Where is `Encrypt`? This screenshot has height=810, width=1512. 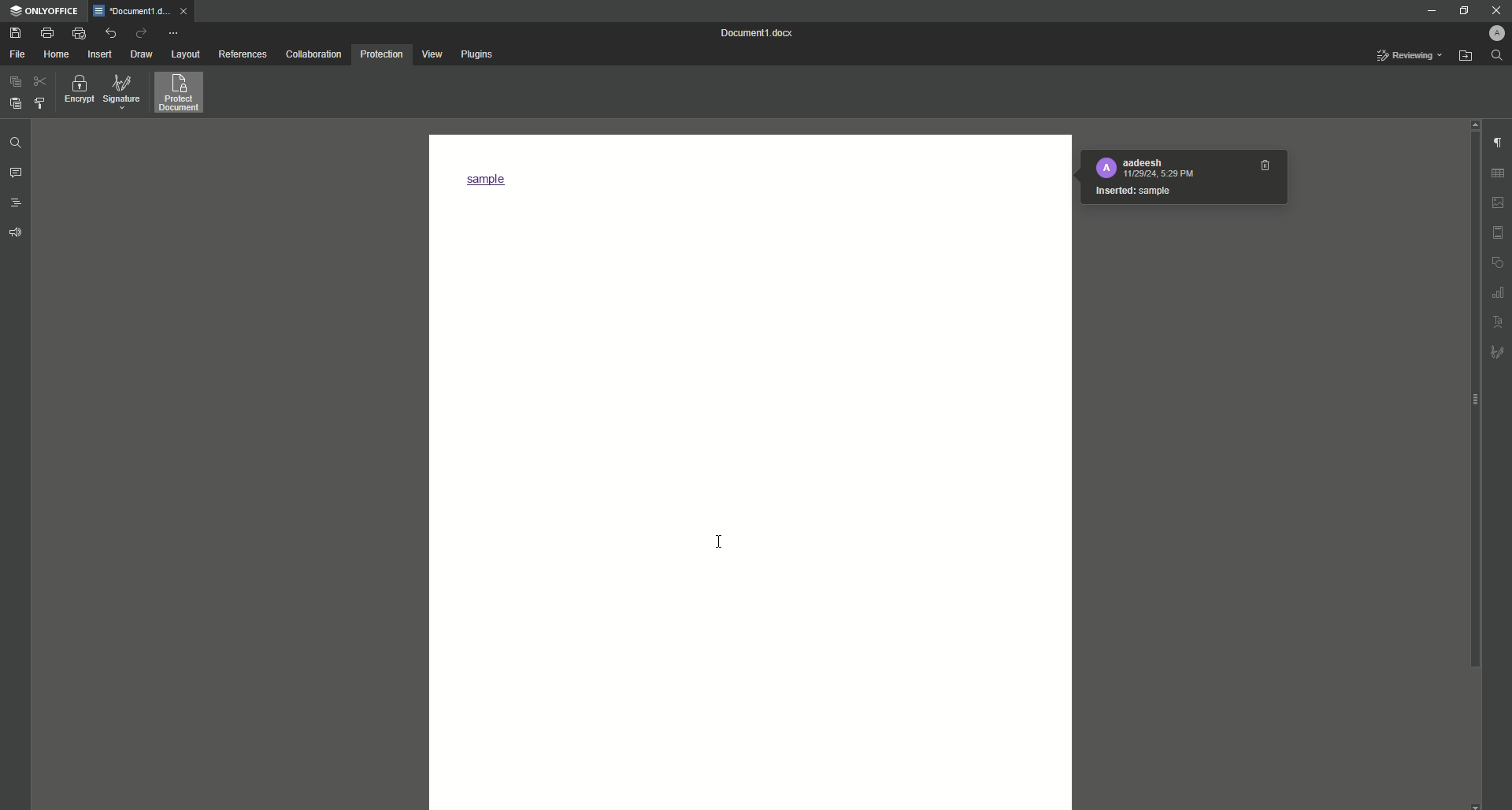 Encrypt is located at coordinates (76, 92).